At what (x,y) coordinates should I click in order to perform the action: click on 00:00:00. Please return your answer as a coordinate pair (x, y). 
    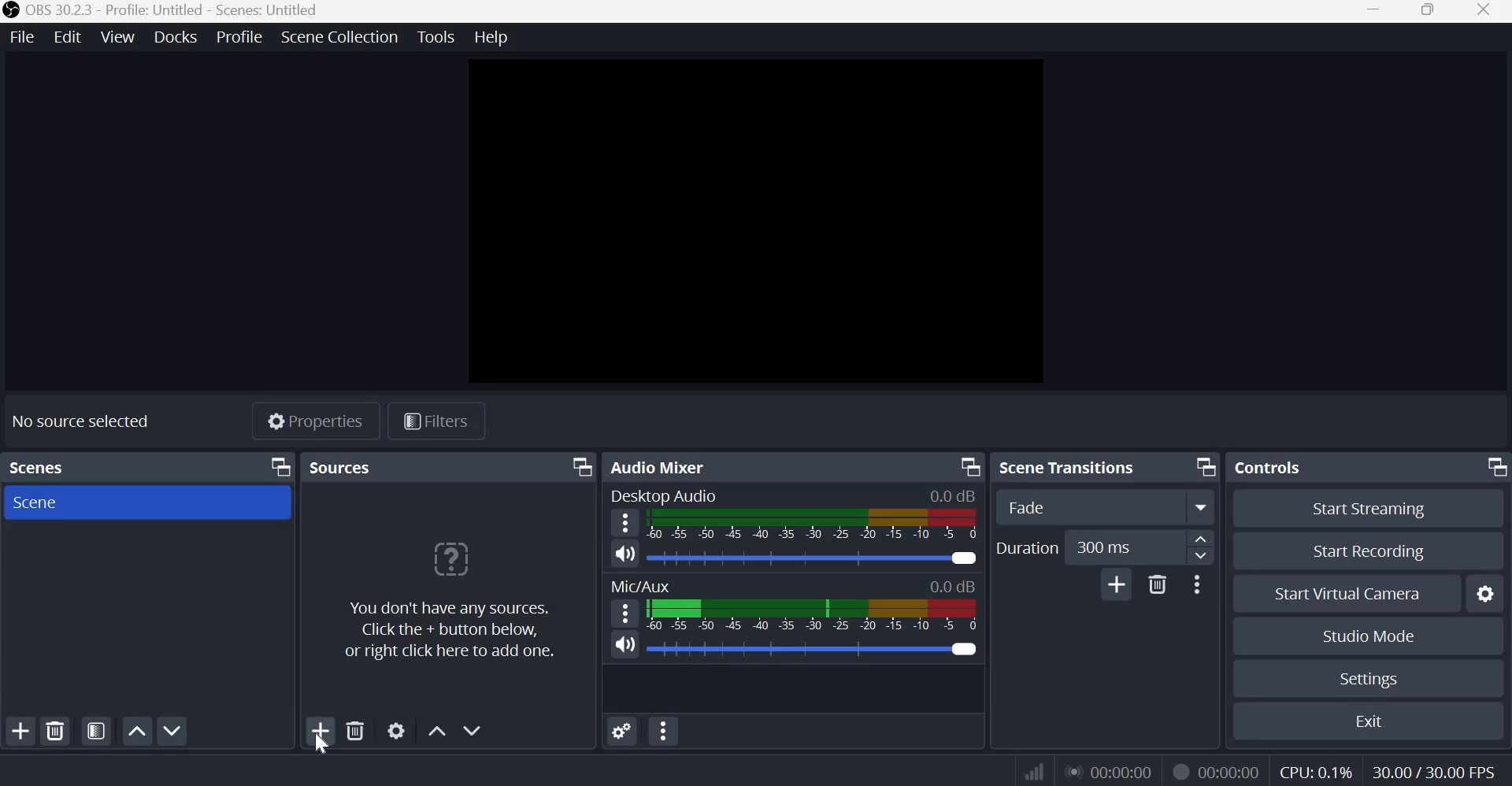
    Looking at the image, I should click on (1229, 773).